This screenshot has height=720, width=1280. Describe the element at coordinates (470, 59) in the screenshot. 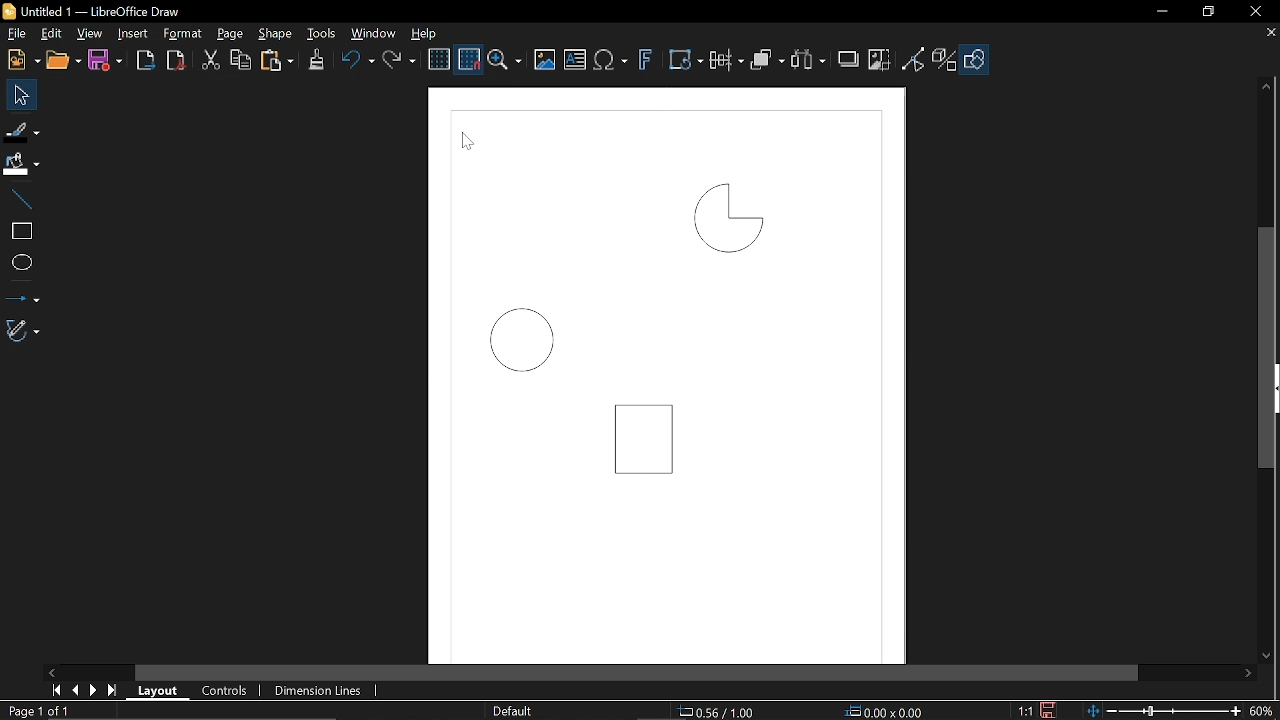

I see `Snap to grid` at that location.